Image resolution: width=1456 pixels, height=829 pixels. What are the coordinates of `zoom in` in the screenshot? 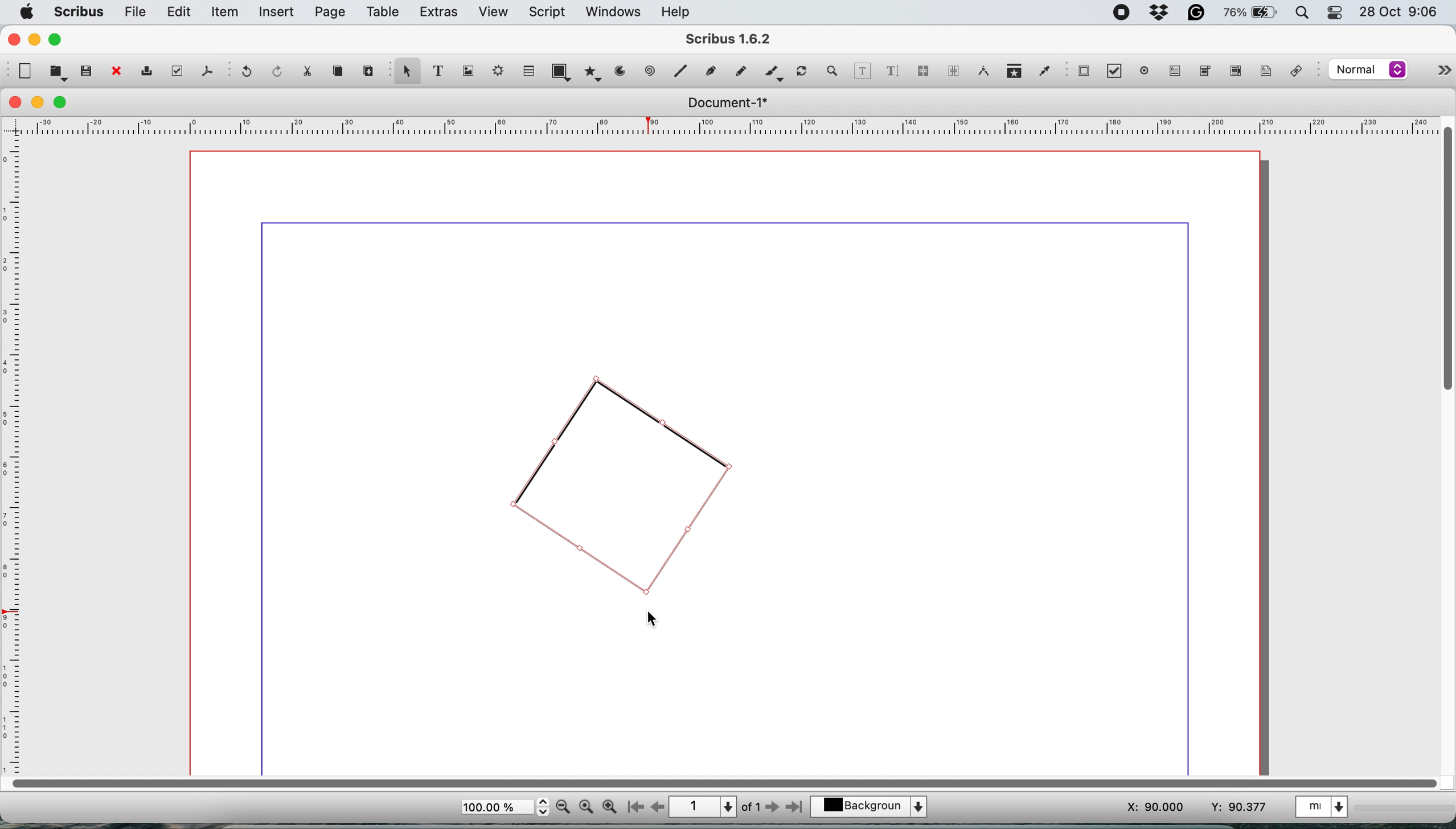 It's located at (609, 807).